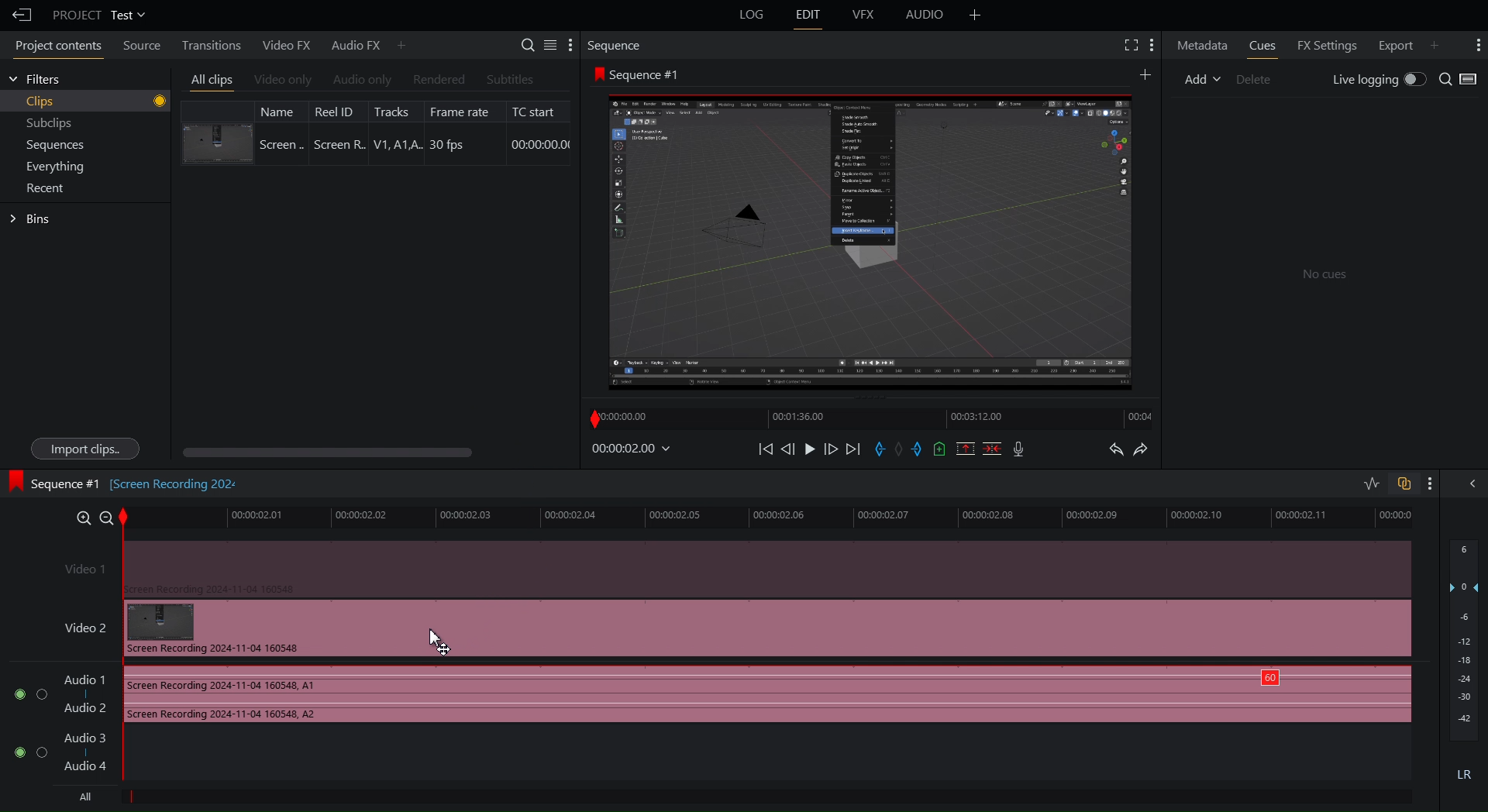  Describe the element at coordinates (808, 15) in the screenshot. I see `Edit` at that location.